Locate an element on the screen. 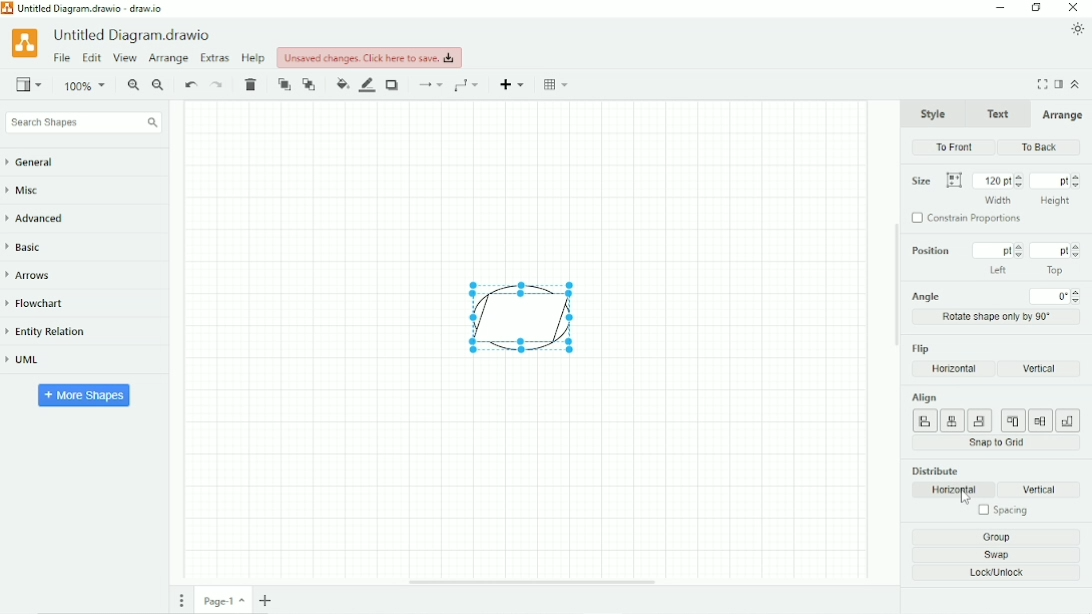  Style is located at coordinates (934, 113).